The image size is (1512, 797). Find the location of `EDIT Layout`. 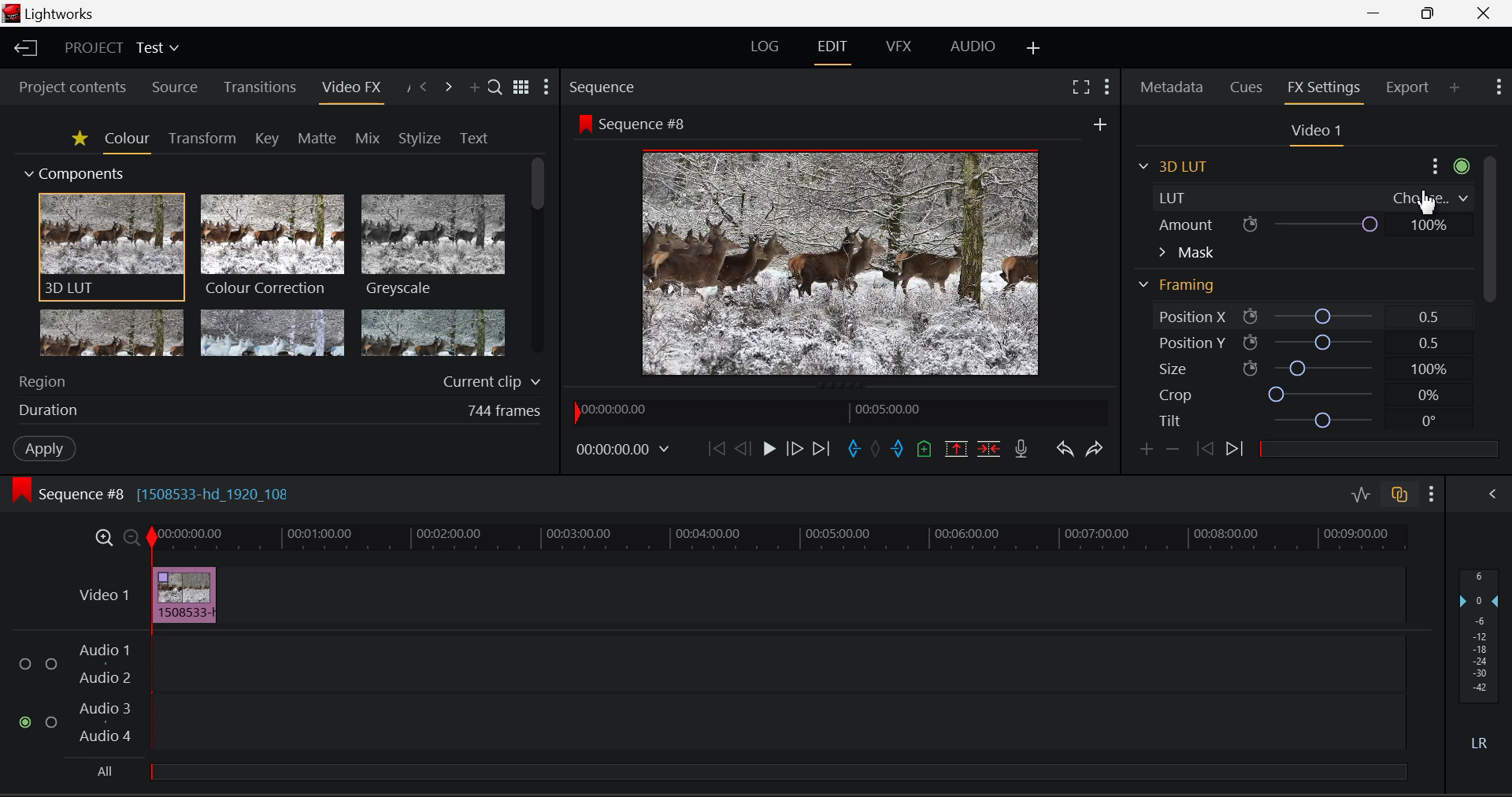

EDIT Layout is located at coordinates (831, 50).